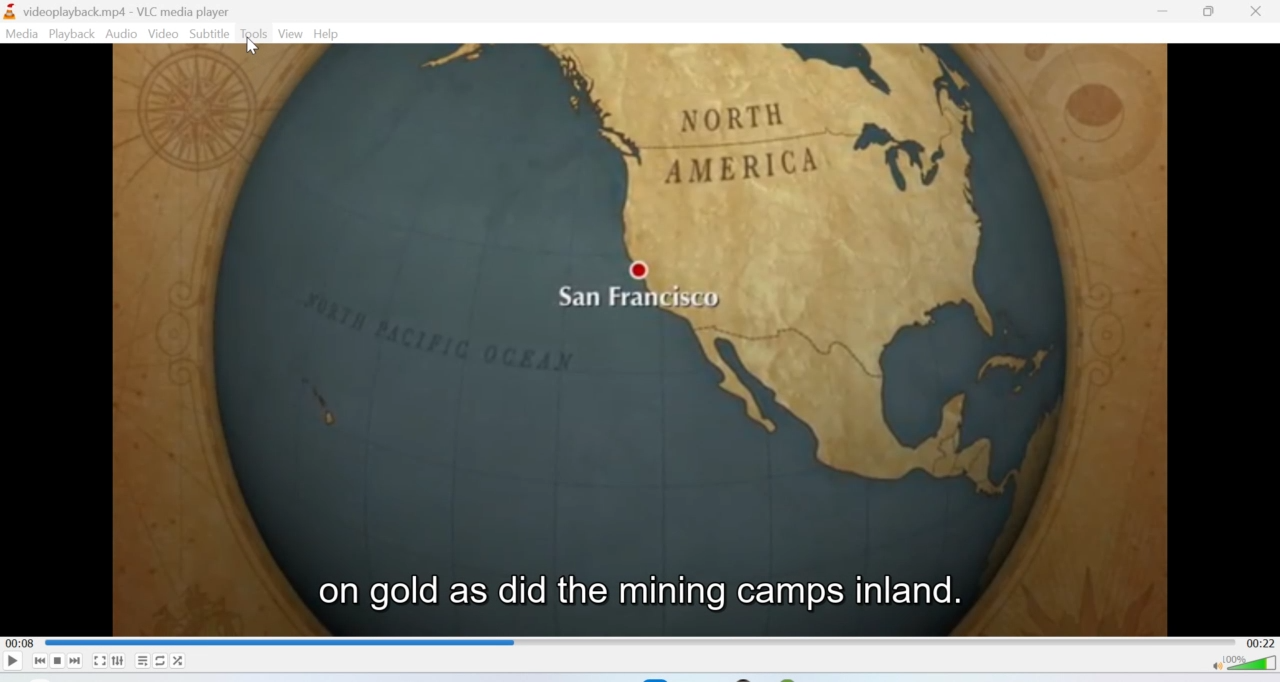 The image size is (1280, 682). Describe the element at coordinates (251, 44) in the screenshot. I see `Cursor on Tools` at that location.